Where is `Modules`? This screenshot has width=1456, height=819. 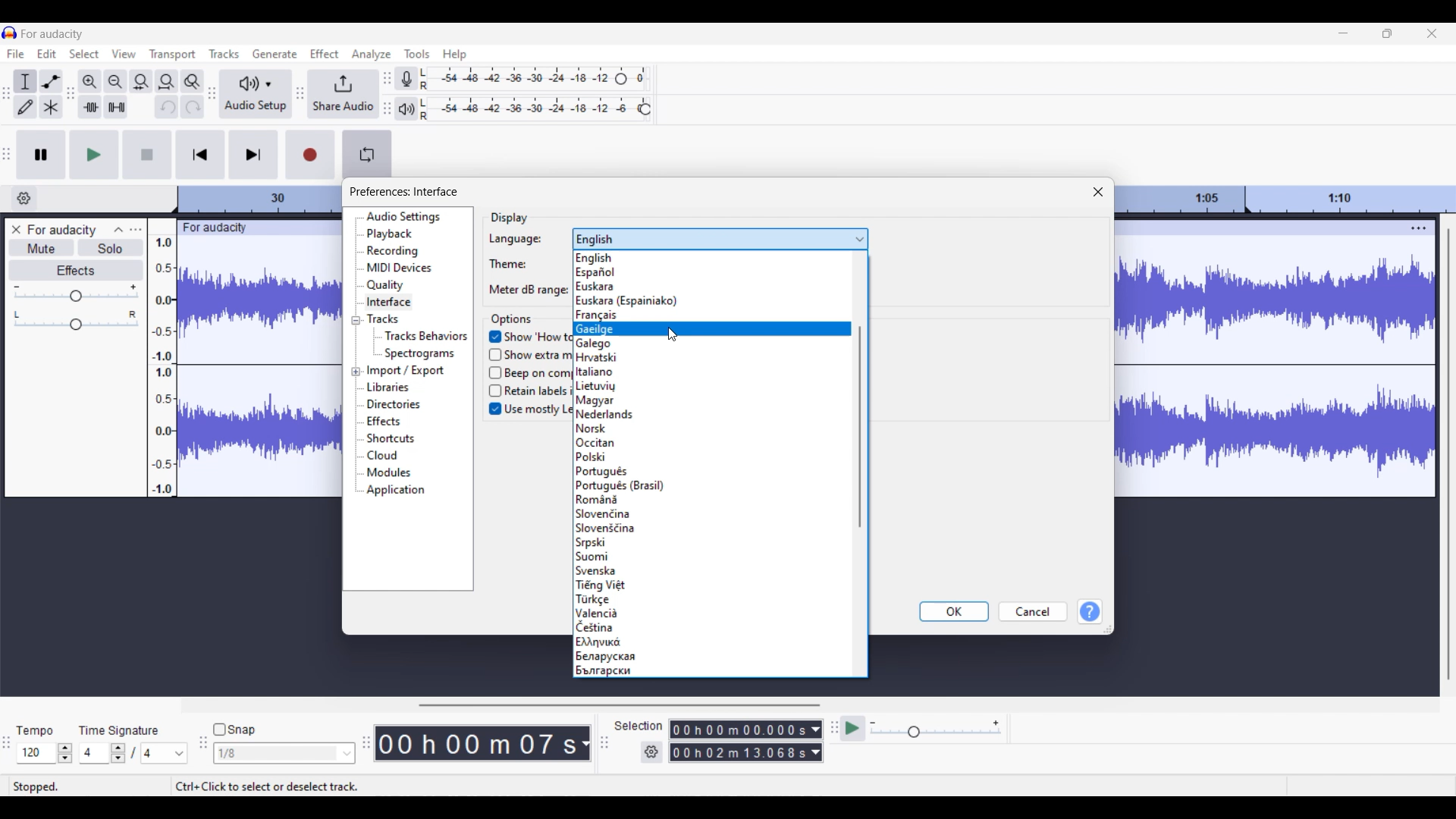
Modules is located at coordinates (388, 472).